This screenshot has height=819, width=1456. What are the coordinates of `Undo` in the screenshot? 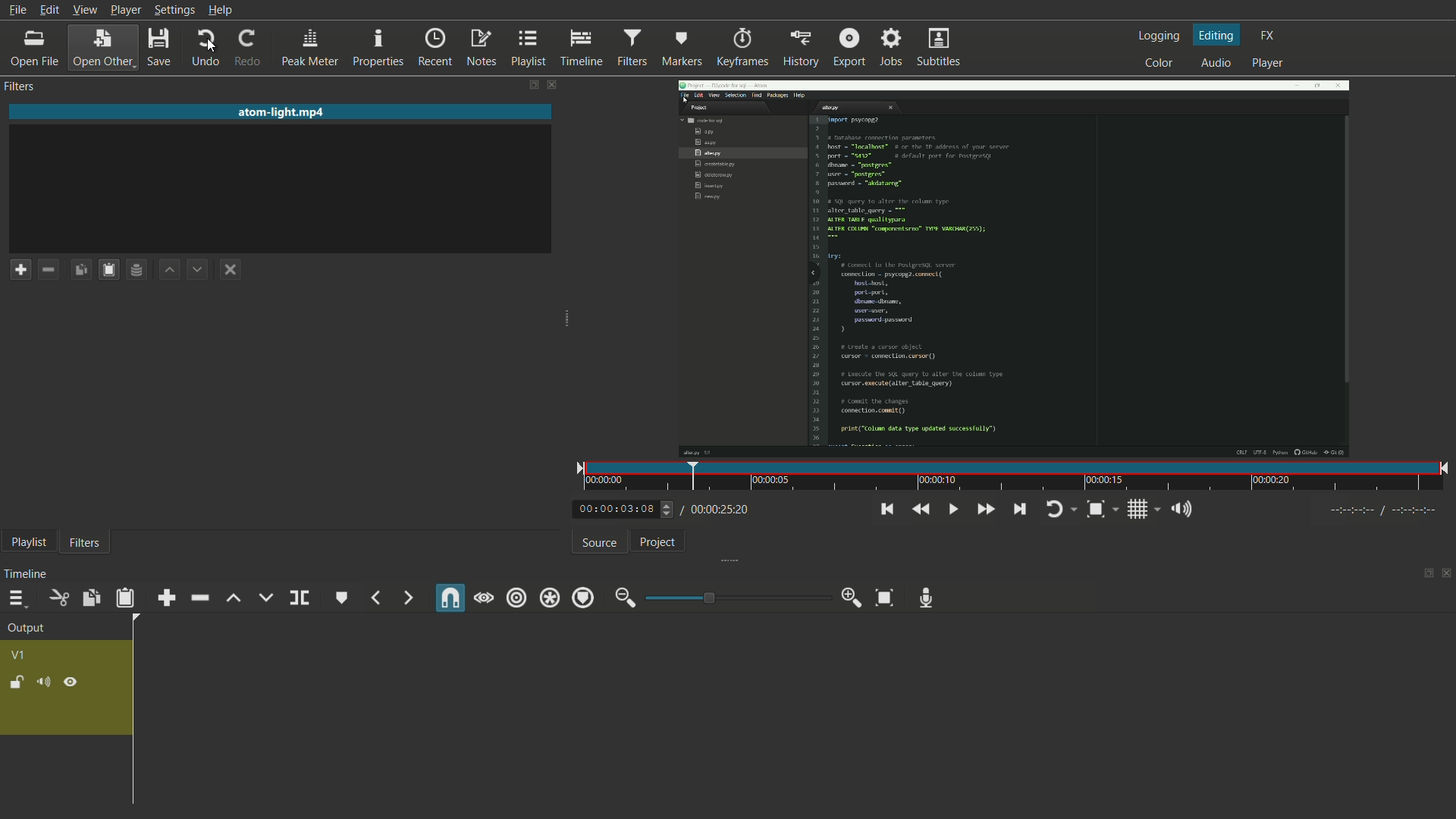 It's located at (202, 47).